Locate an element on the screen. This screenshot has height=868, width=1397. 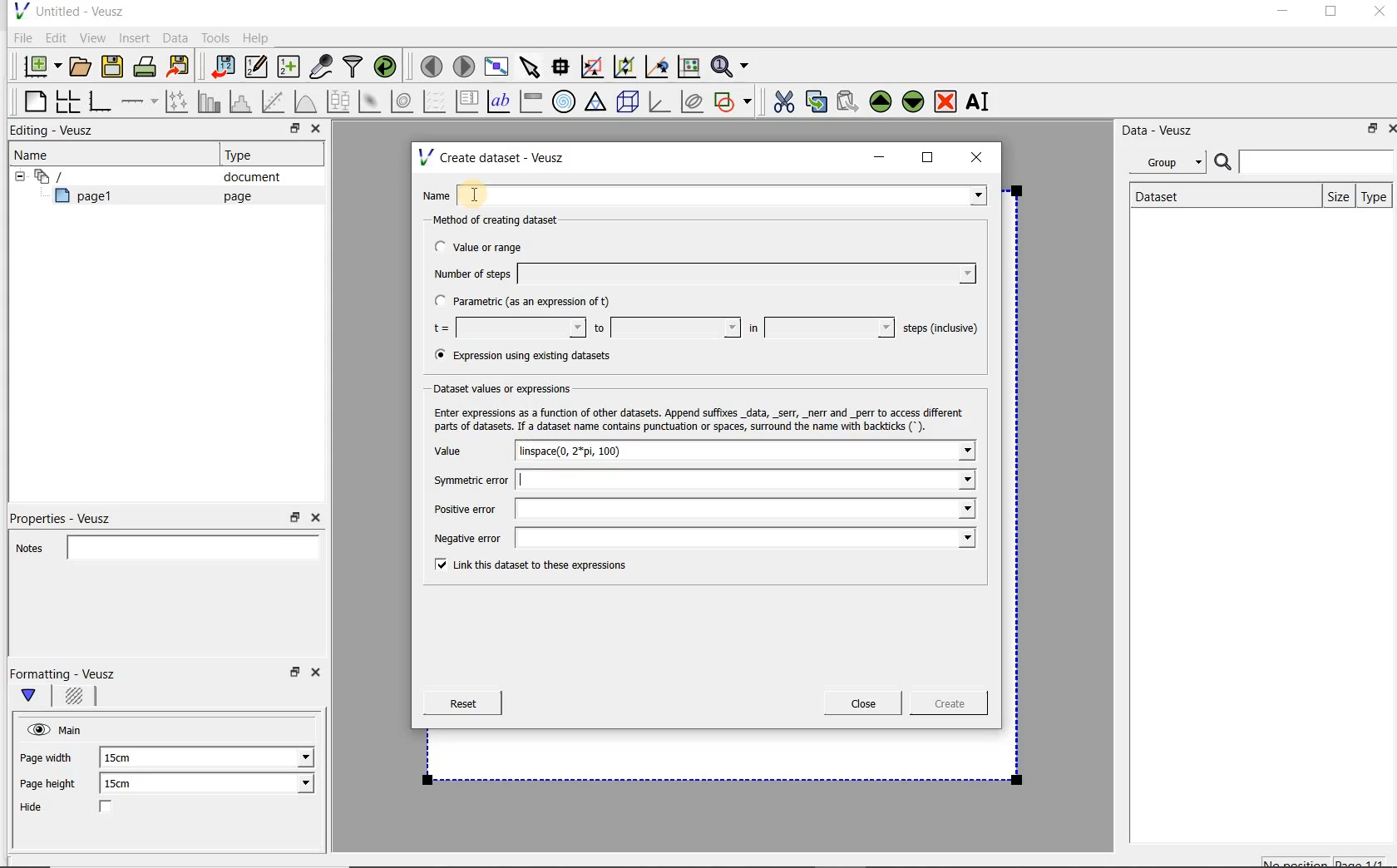
Value is located at coordinates (465, 451).